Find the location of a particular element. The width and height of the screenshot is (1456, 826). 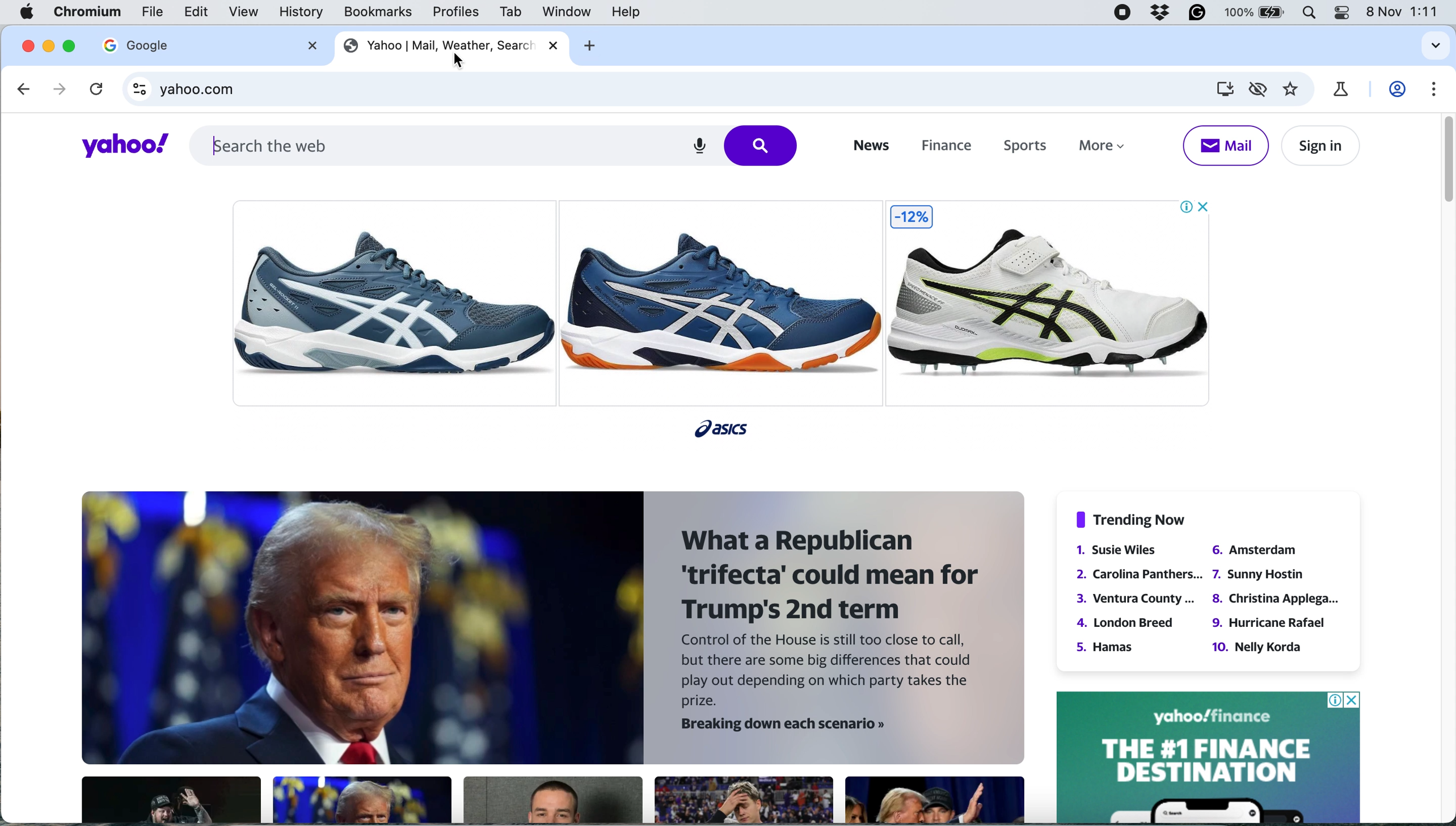

settings is located at coordinates (1434, 89).